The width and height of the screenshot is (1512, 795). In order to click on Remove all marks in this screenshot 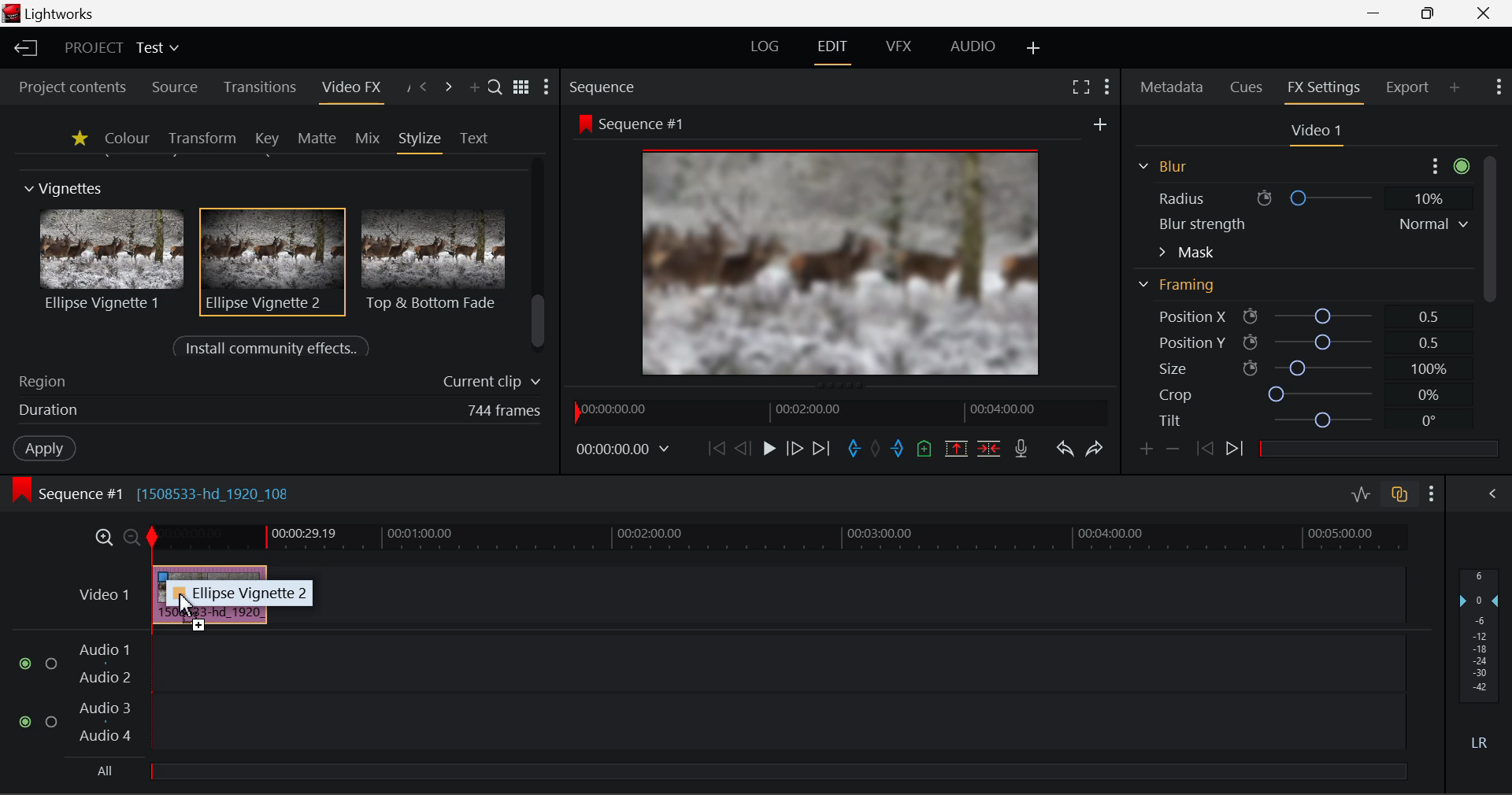, I will do `click(876, 446)`.